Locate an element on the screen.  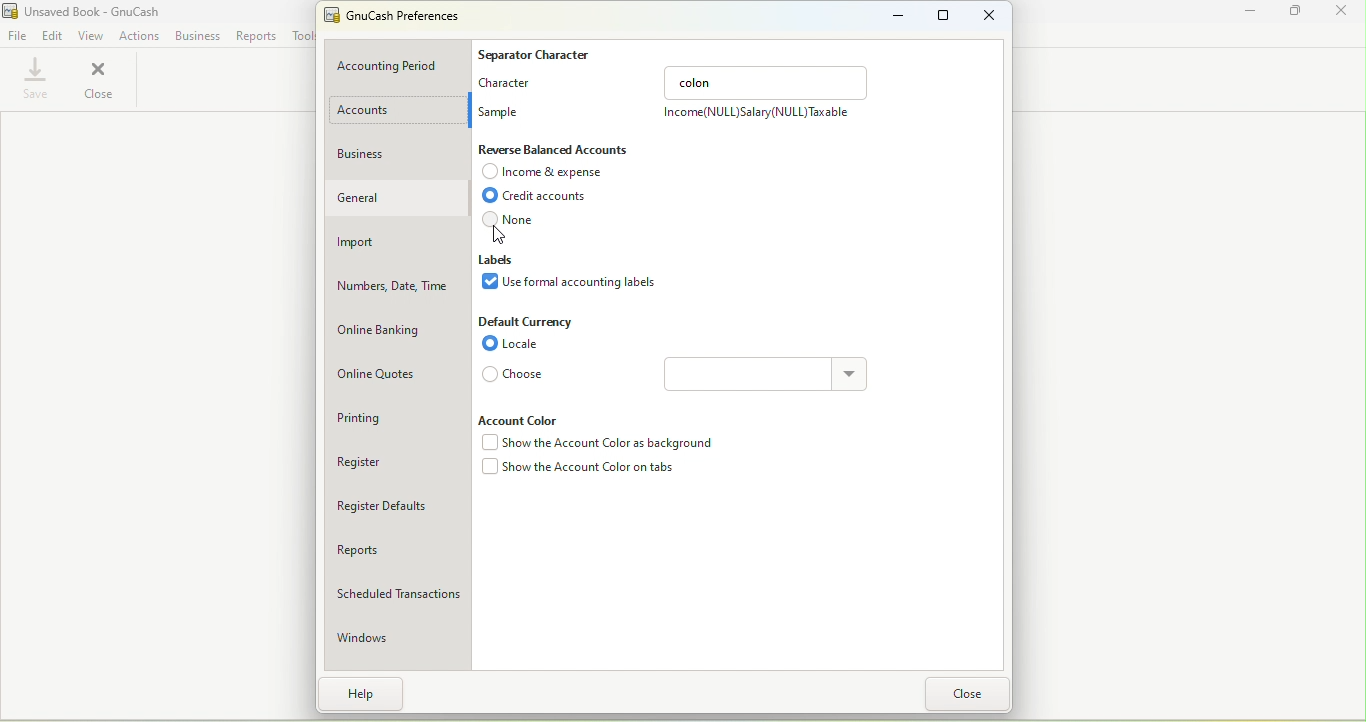
Minimize is located at coordinates (888, 16).